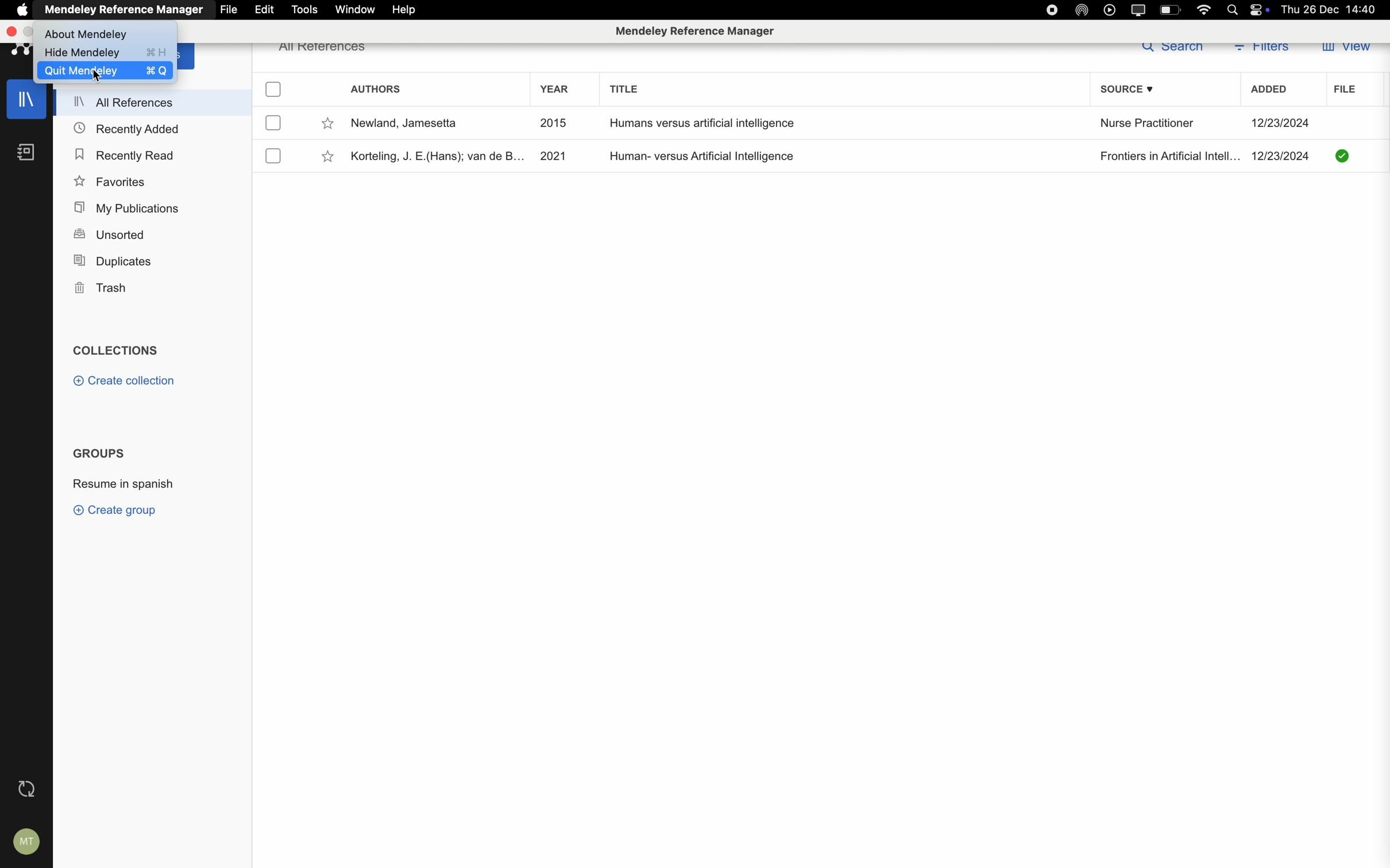  I want to click on 2015, so click(553, 122).